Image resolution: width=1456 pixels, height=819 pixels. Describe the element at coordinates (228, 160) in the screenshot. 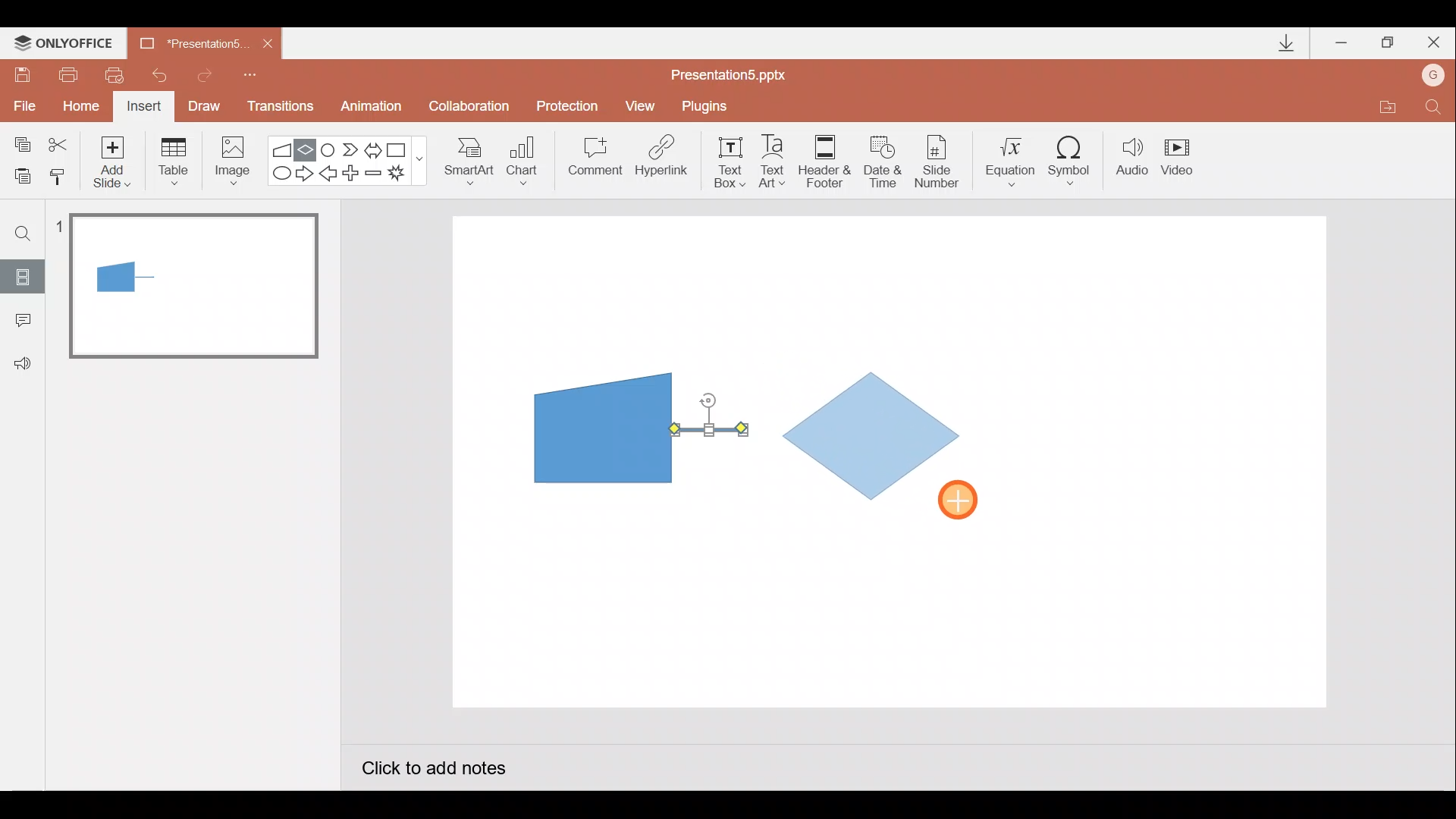

I see `Image` at that location.